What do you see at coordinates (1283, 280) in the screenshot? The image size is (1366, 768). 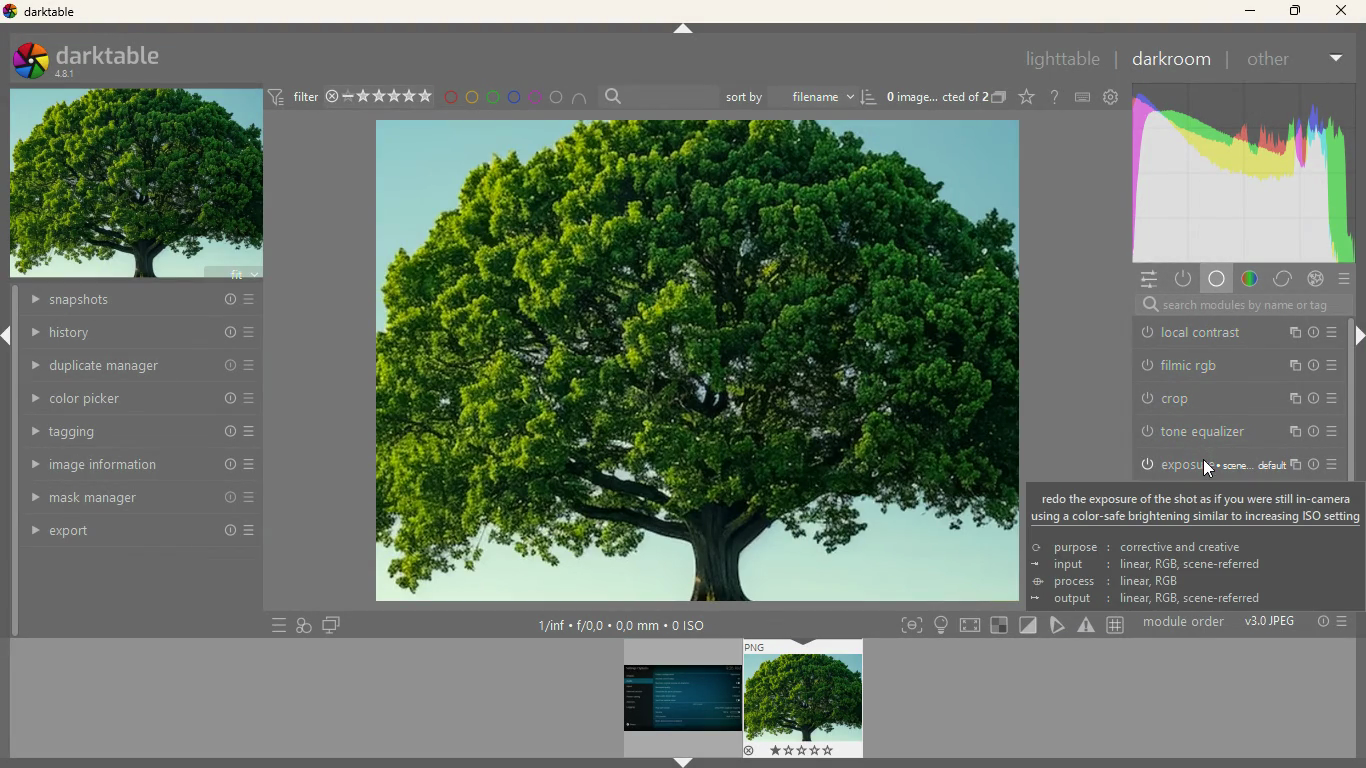 I see `change` at bounding box center [1283, 280].